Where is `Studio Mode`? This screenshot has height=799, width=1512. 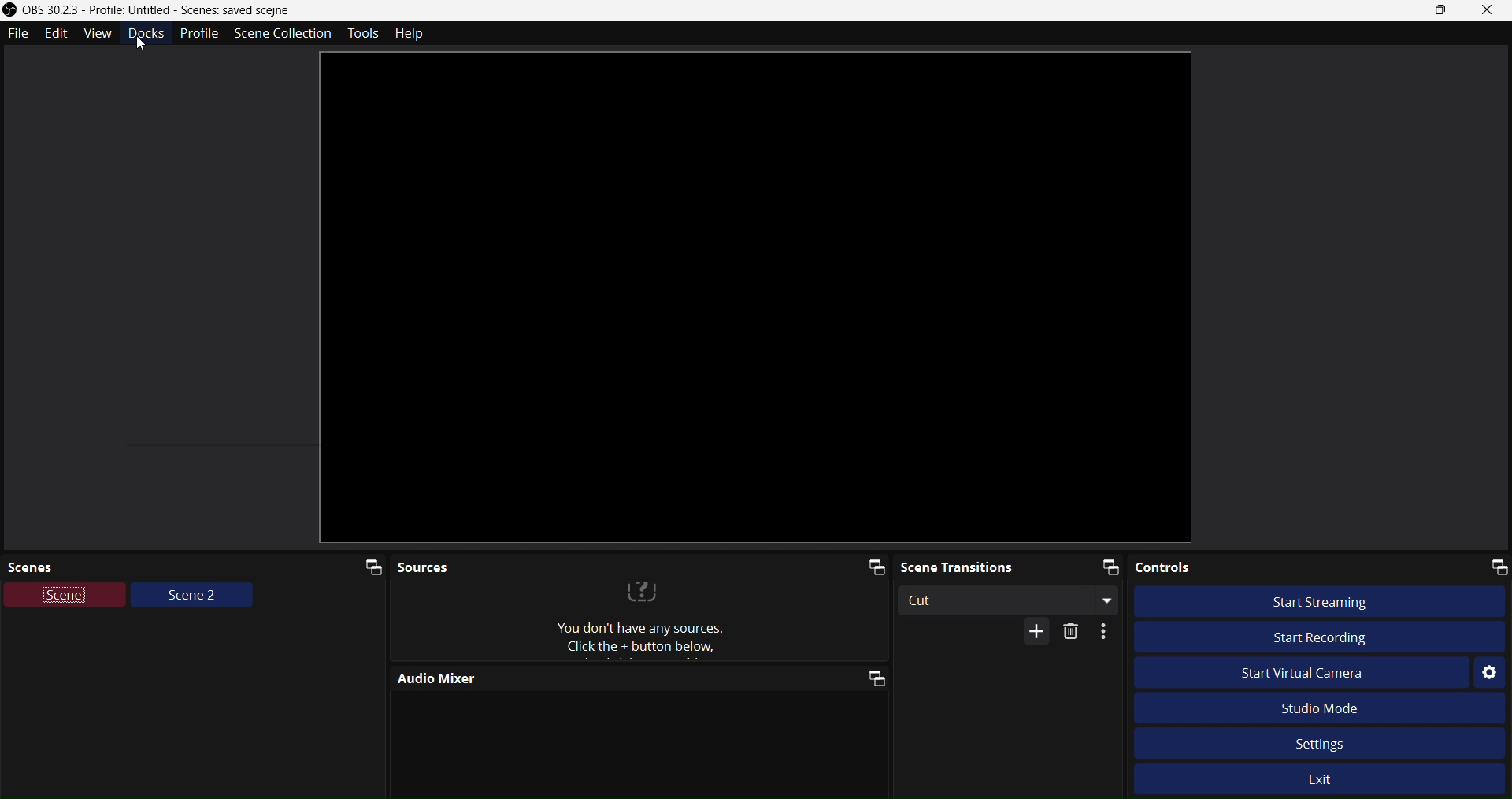 Studio Mode is located at coordinates (1343, 707).